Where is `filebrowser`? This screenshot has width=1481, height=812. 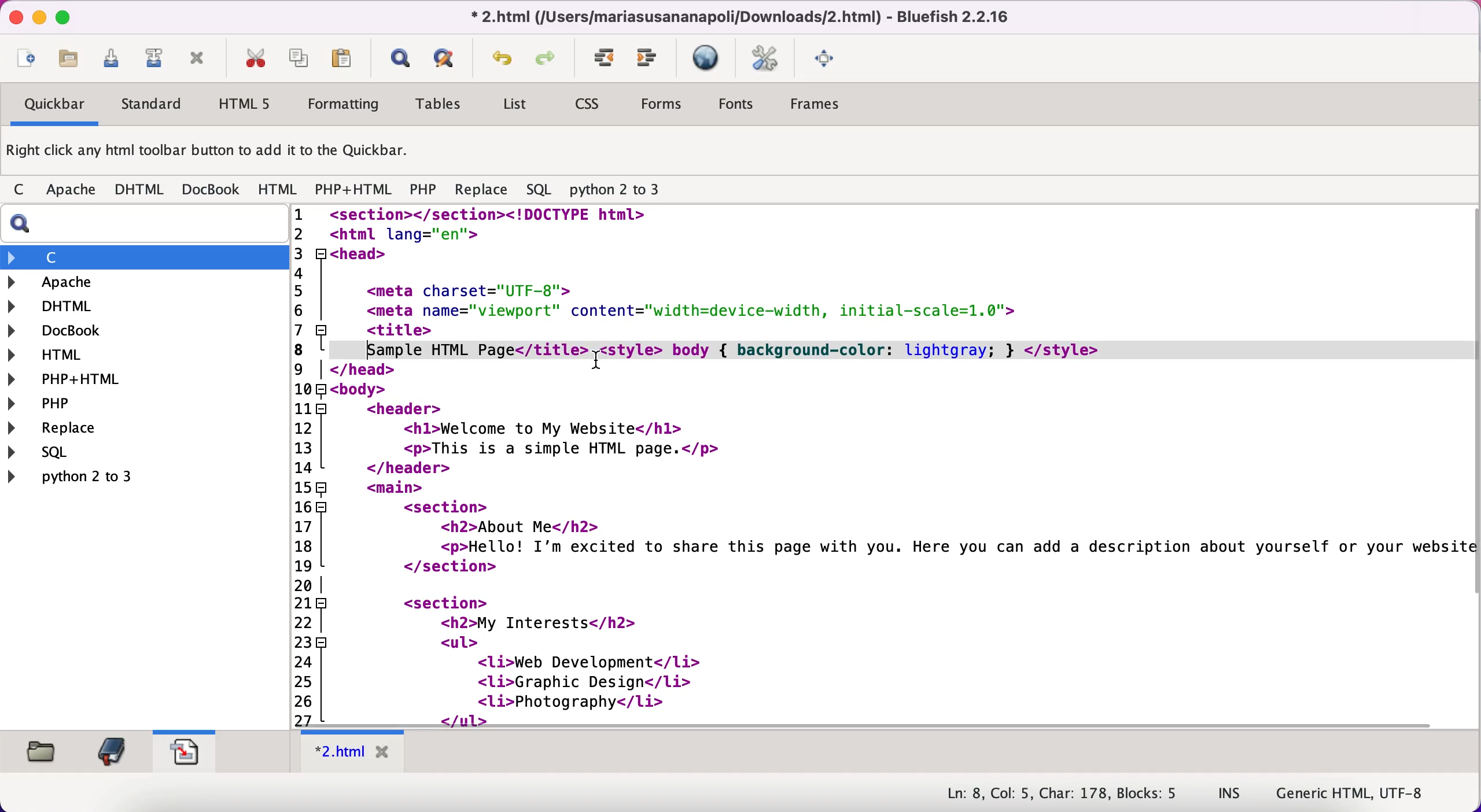 filebrowser is located at coordinates (43, 752).